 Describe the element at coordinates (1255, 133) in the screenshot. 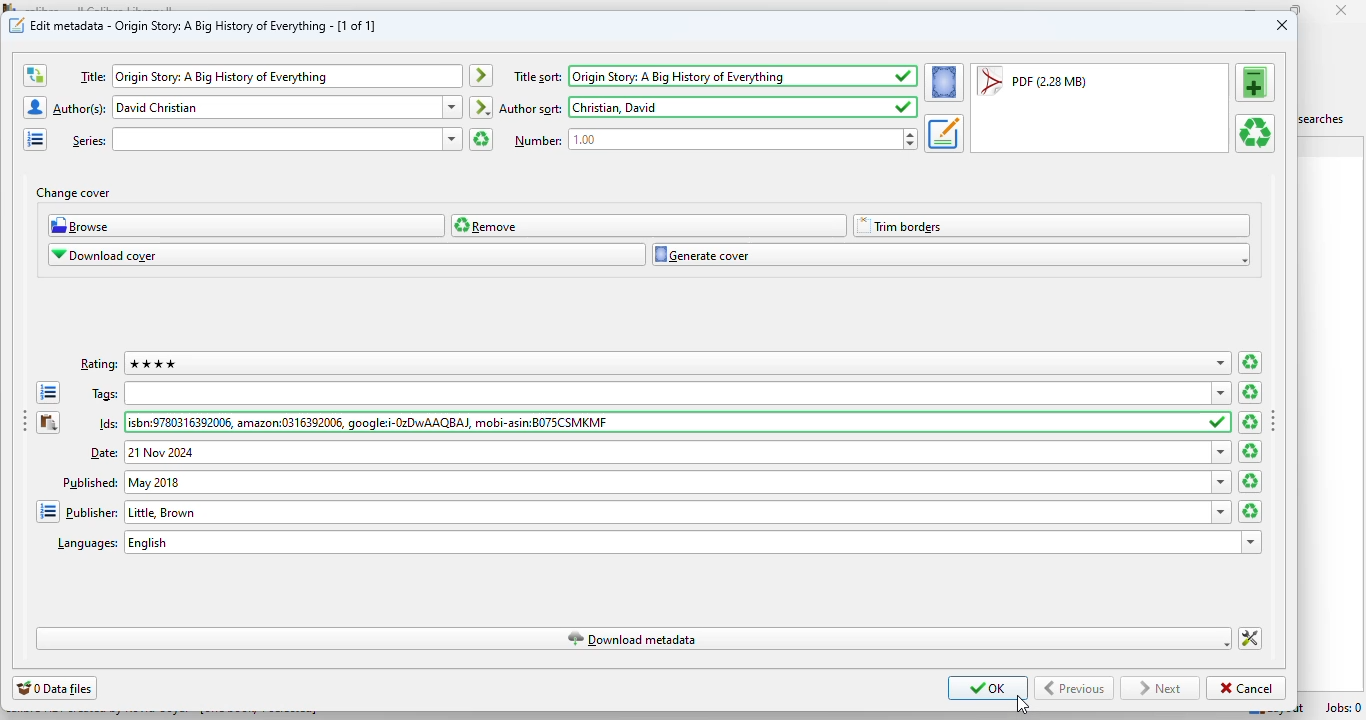

I see `remove the selected format from this book` at that location.